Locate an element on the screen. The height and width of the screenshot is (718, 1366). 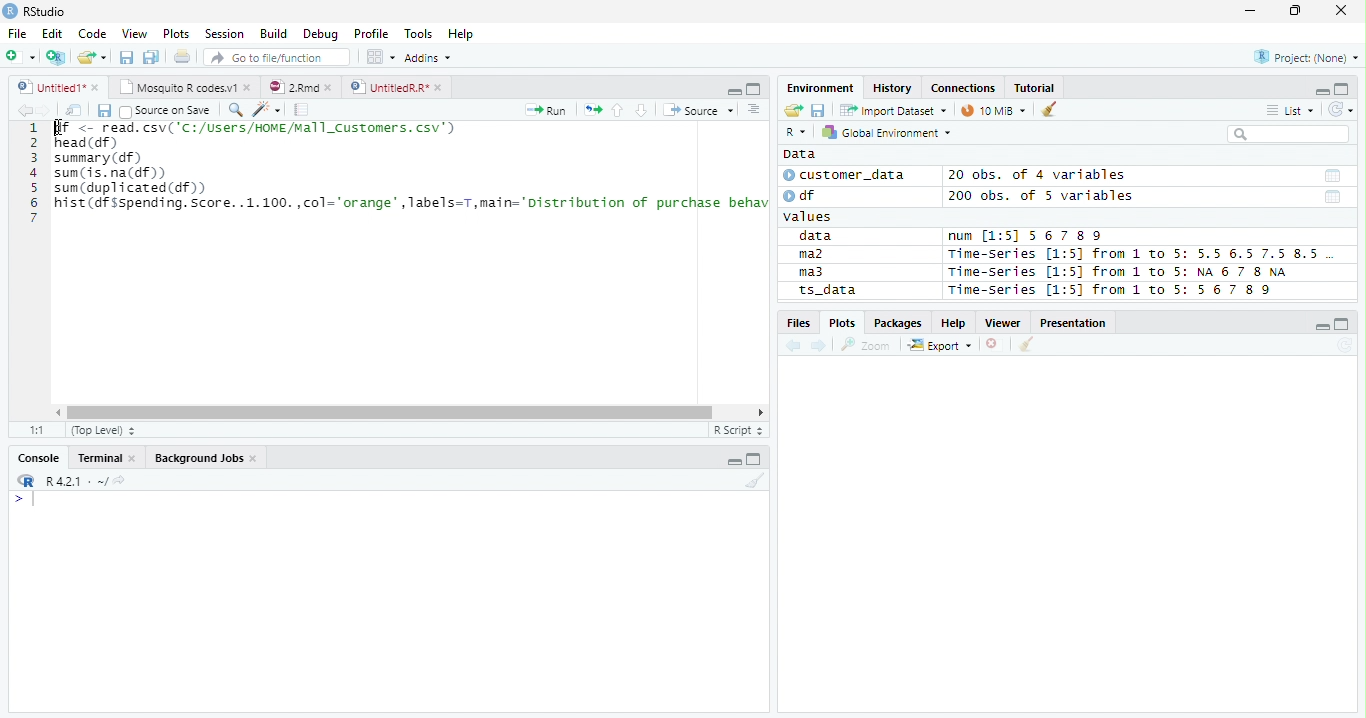
Workplace panes is located at coordinates (380, 57).